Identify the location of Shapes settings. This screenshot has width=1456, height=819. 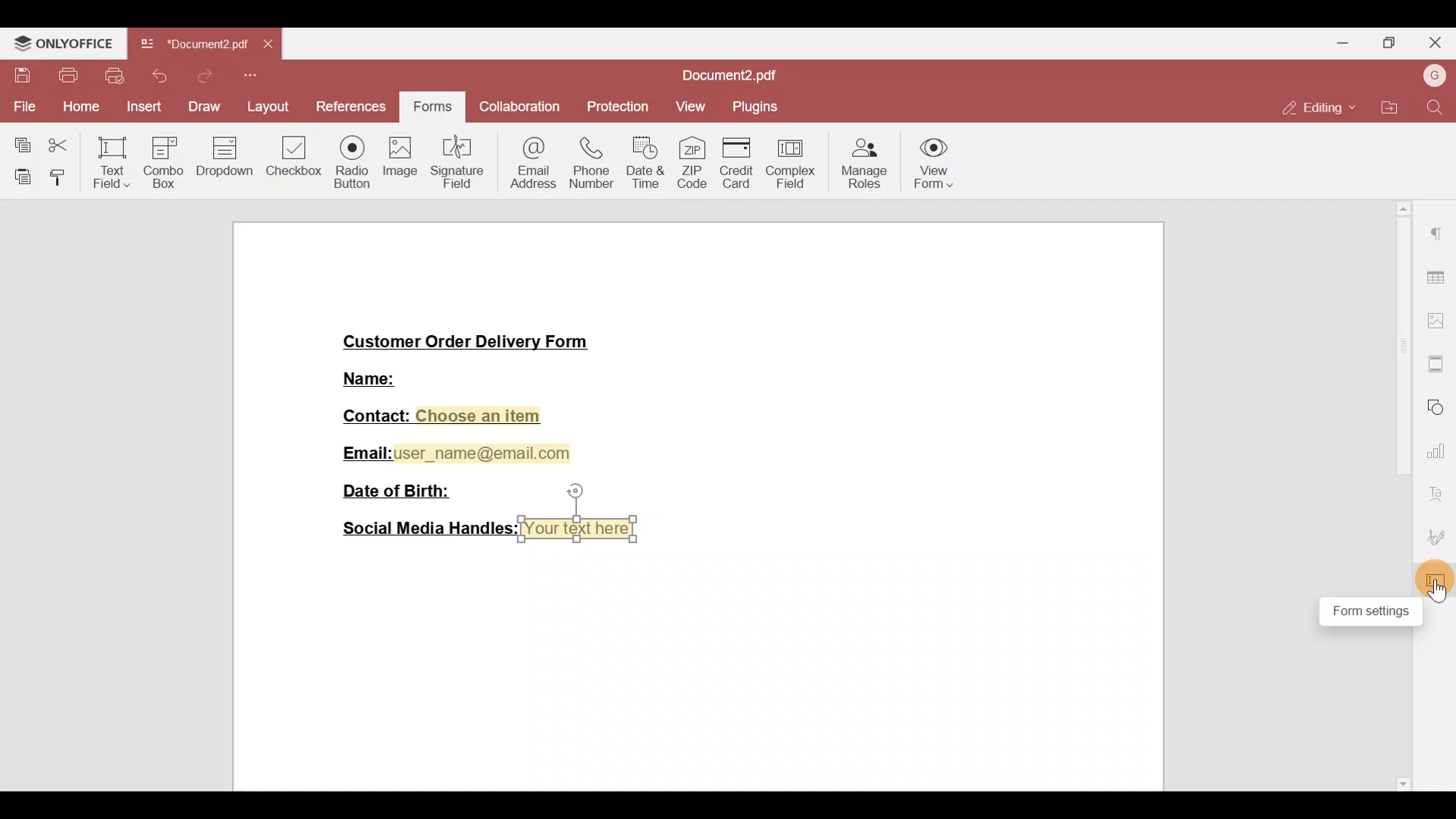
(1441, 407).